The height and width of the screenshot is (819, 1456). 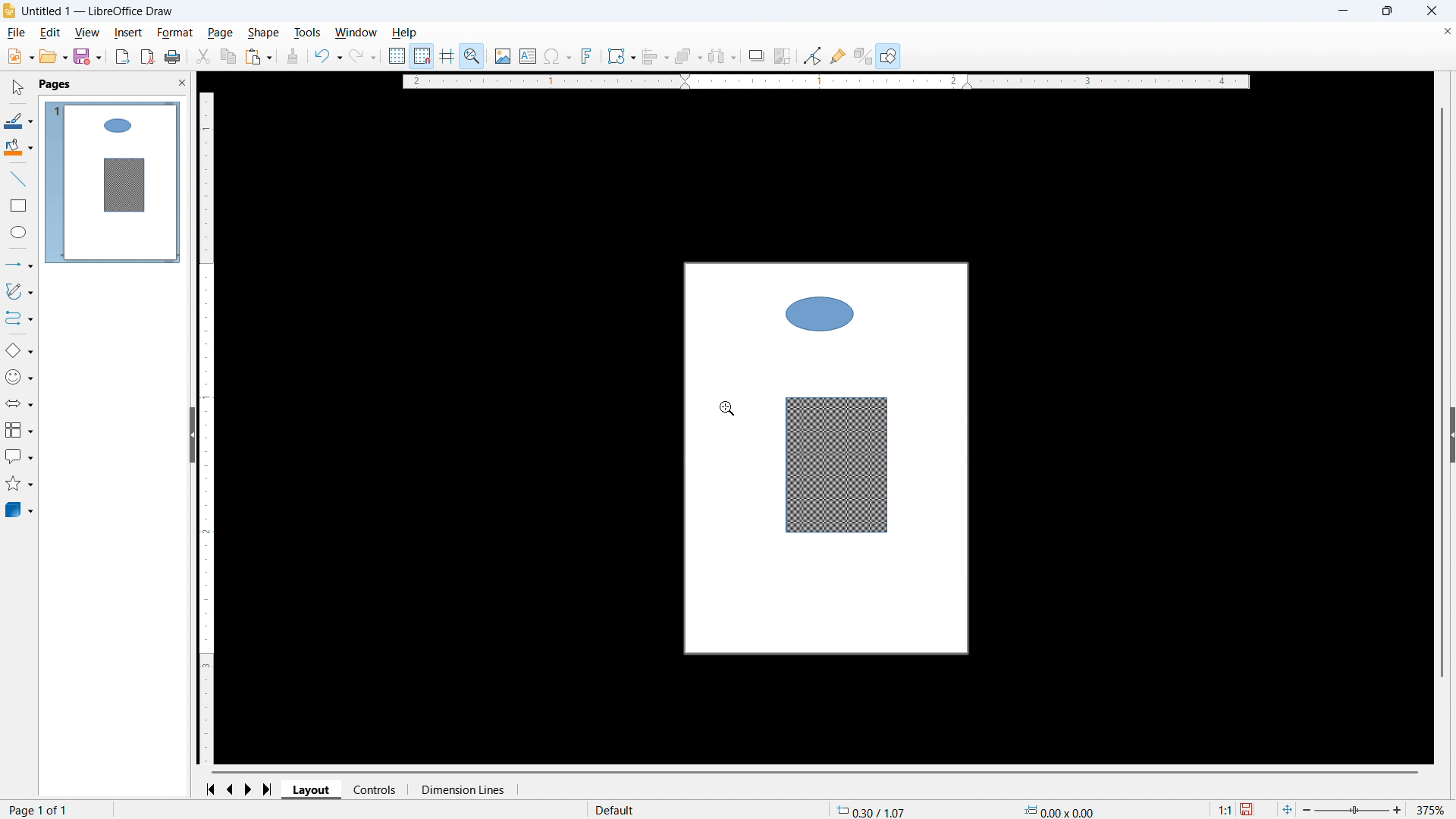 What do you see at coordinates (18, 351) in the screenshot?
I see `Basic shapes ` at bounding box center [18, 351].